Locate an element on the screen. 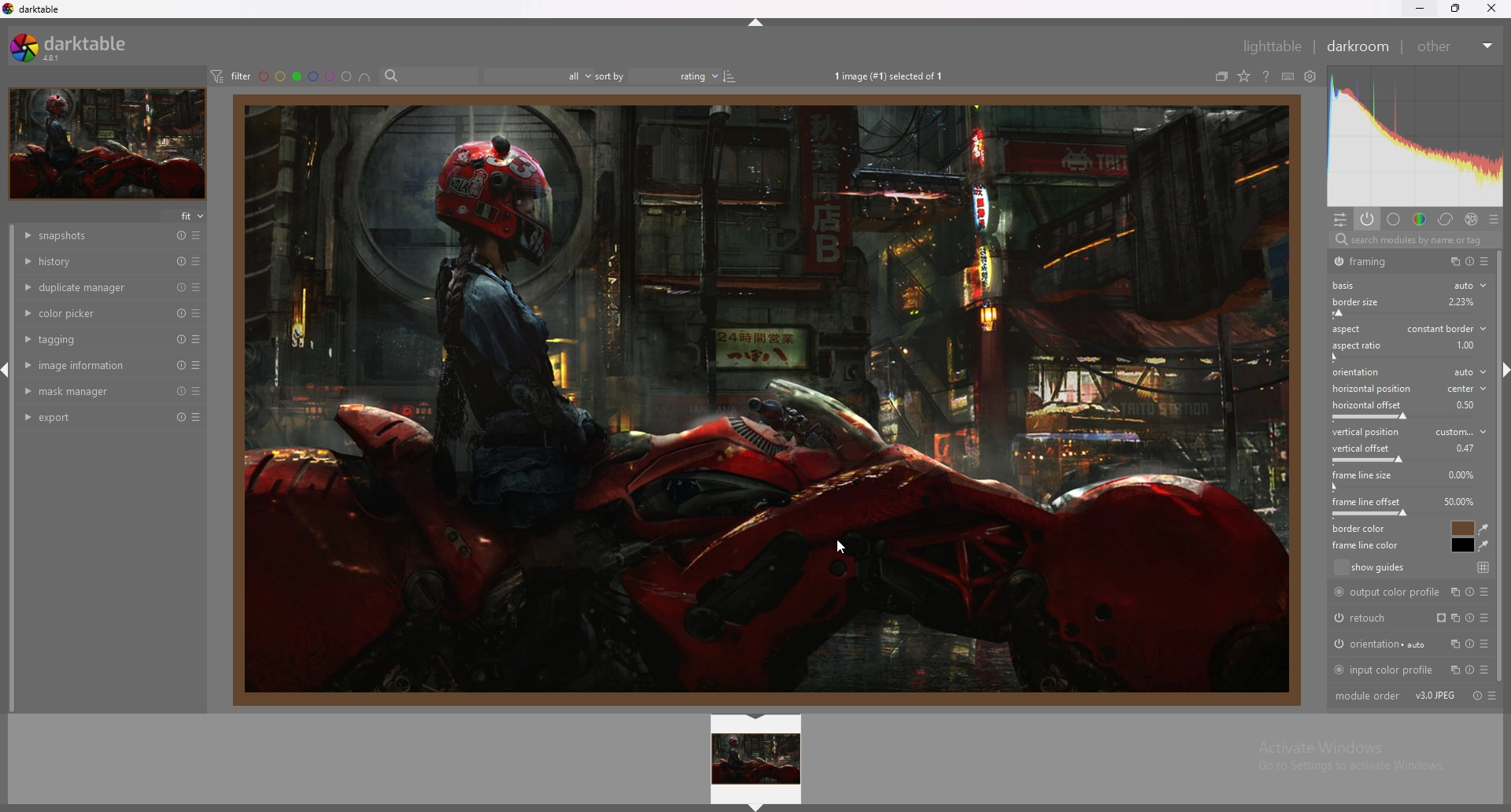 This screenshot has width=1511, height=812. reset is located at coordinates (179, 418).